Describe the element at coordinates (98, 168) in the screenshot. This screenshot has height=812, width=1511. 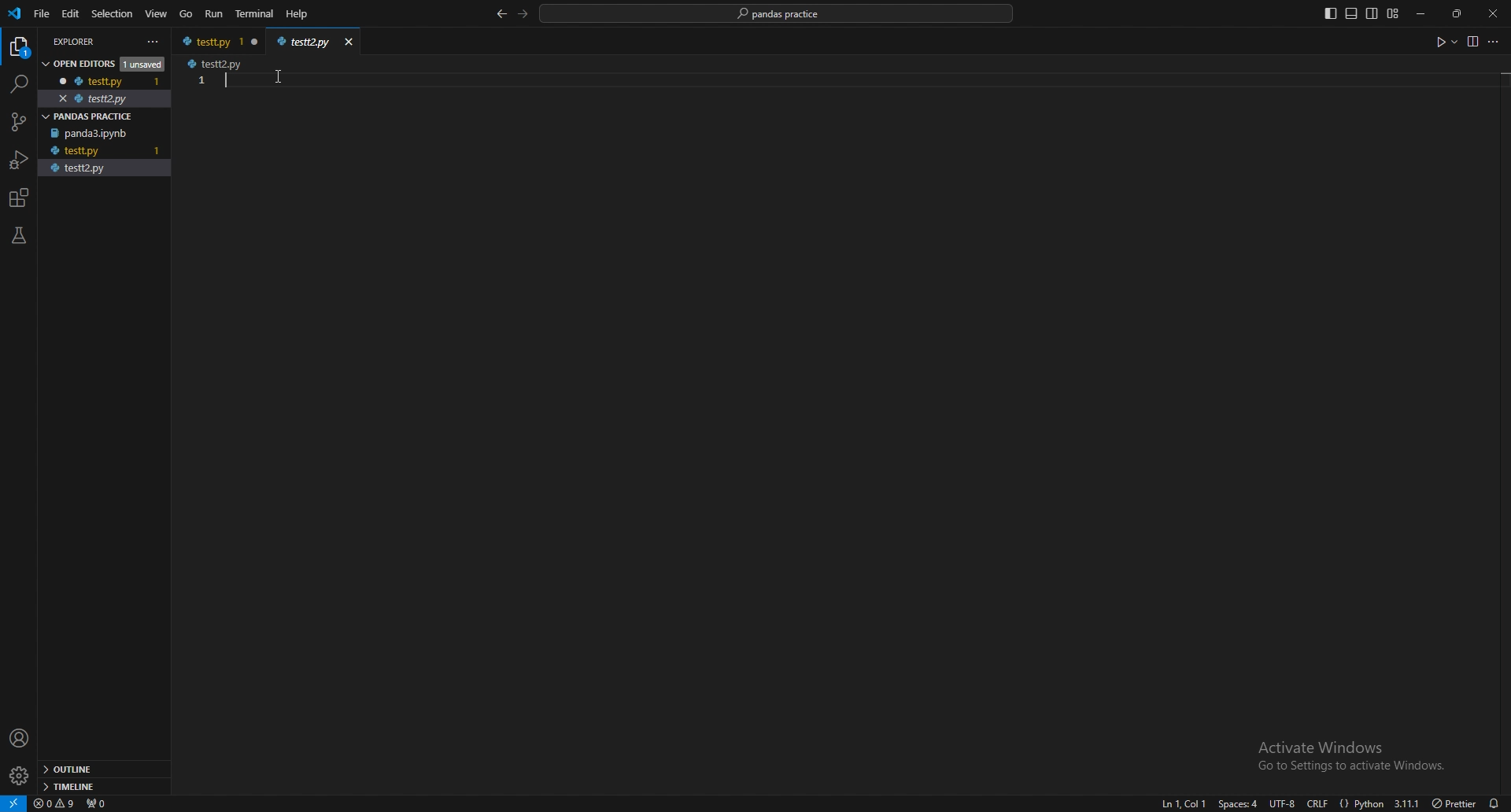
I see `testt2.py` at that location.